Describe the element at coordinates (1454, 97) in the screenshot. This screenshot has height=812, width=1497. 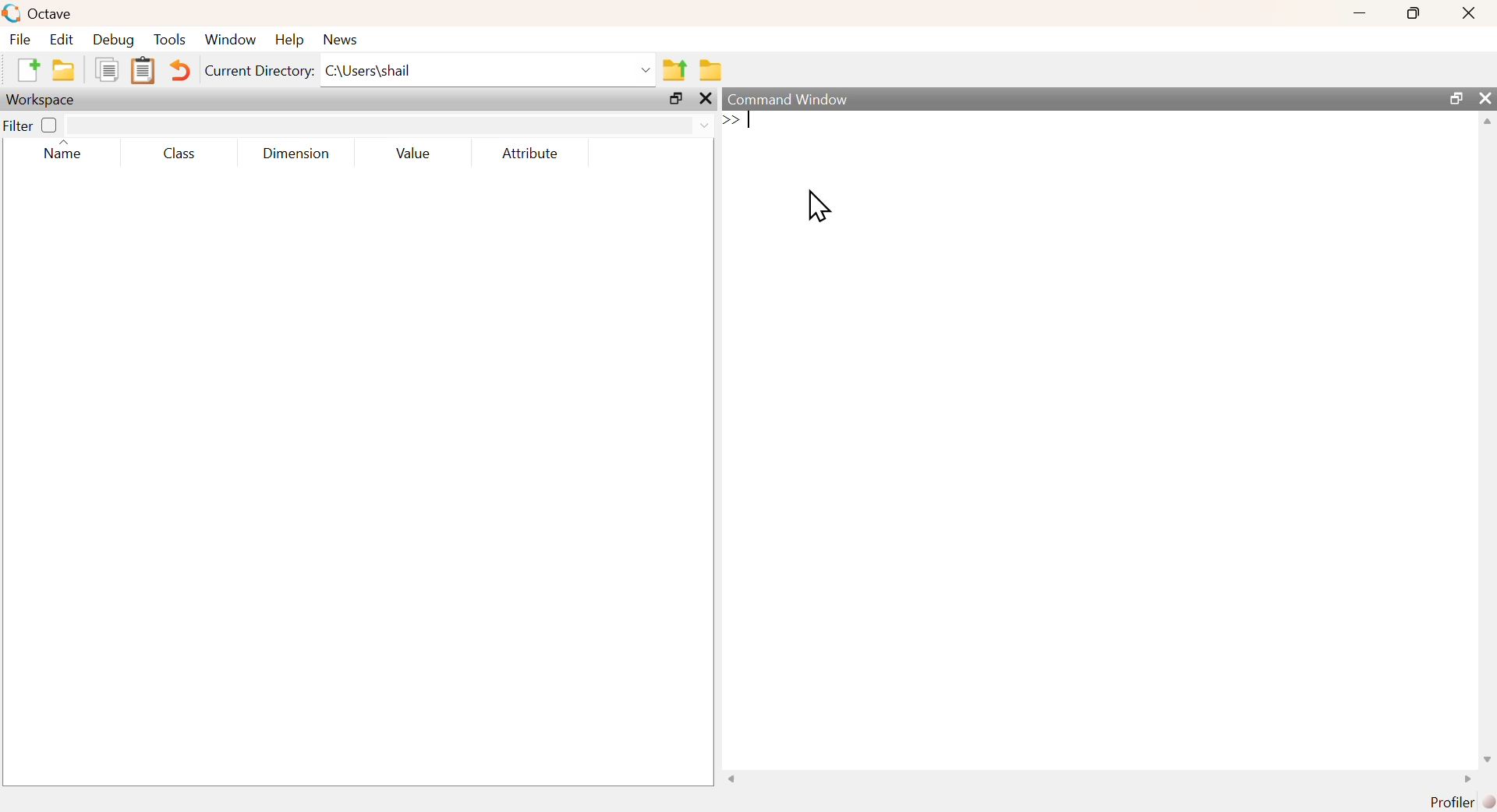
I see `maximize` at that location.